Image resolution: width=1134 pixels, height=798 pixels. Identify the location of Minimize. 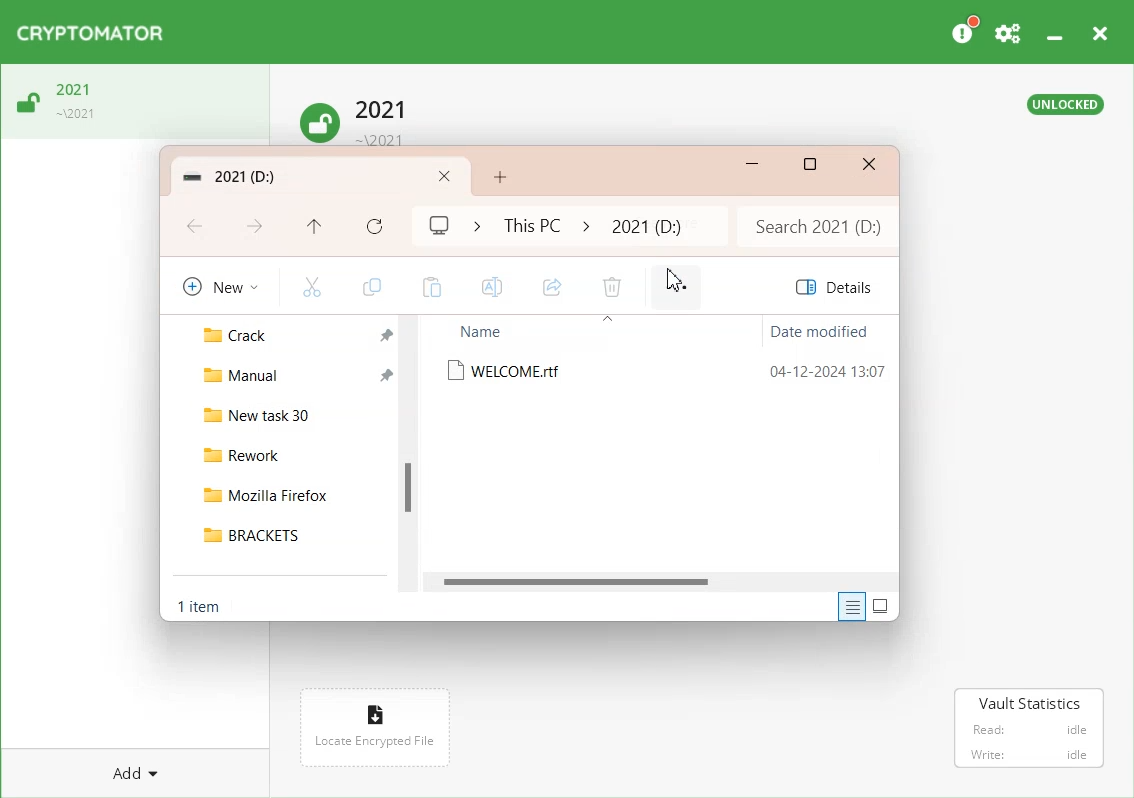
(750, 165).